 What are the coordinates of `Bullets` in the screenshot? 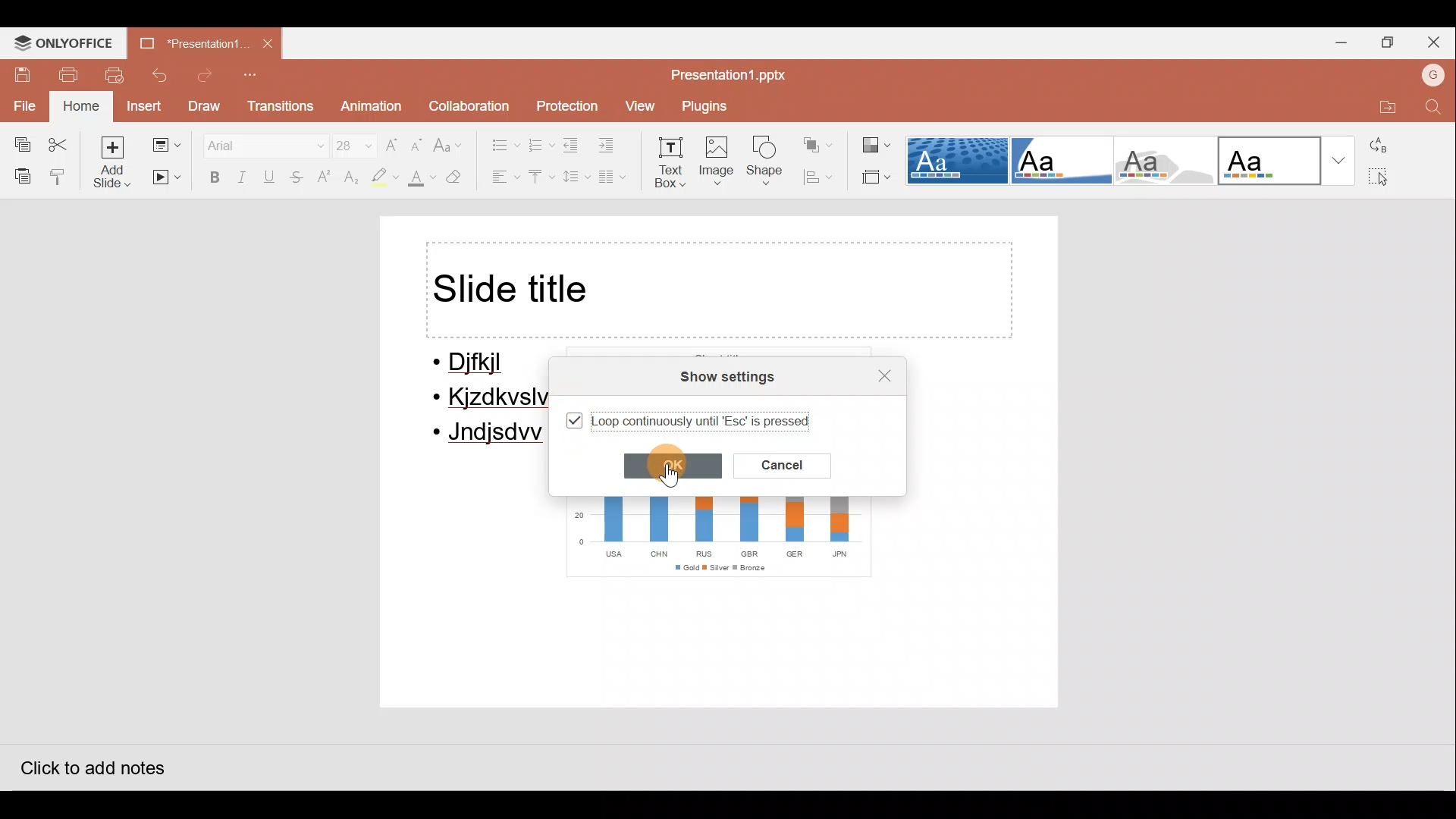 It's located at (499, 142).